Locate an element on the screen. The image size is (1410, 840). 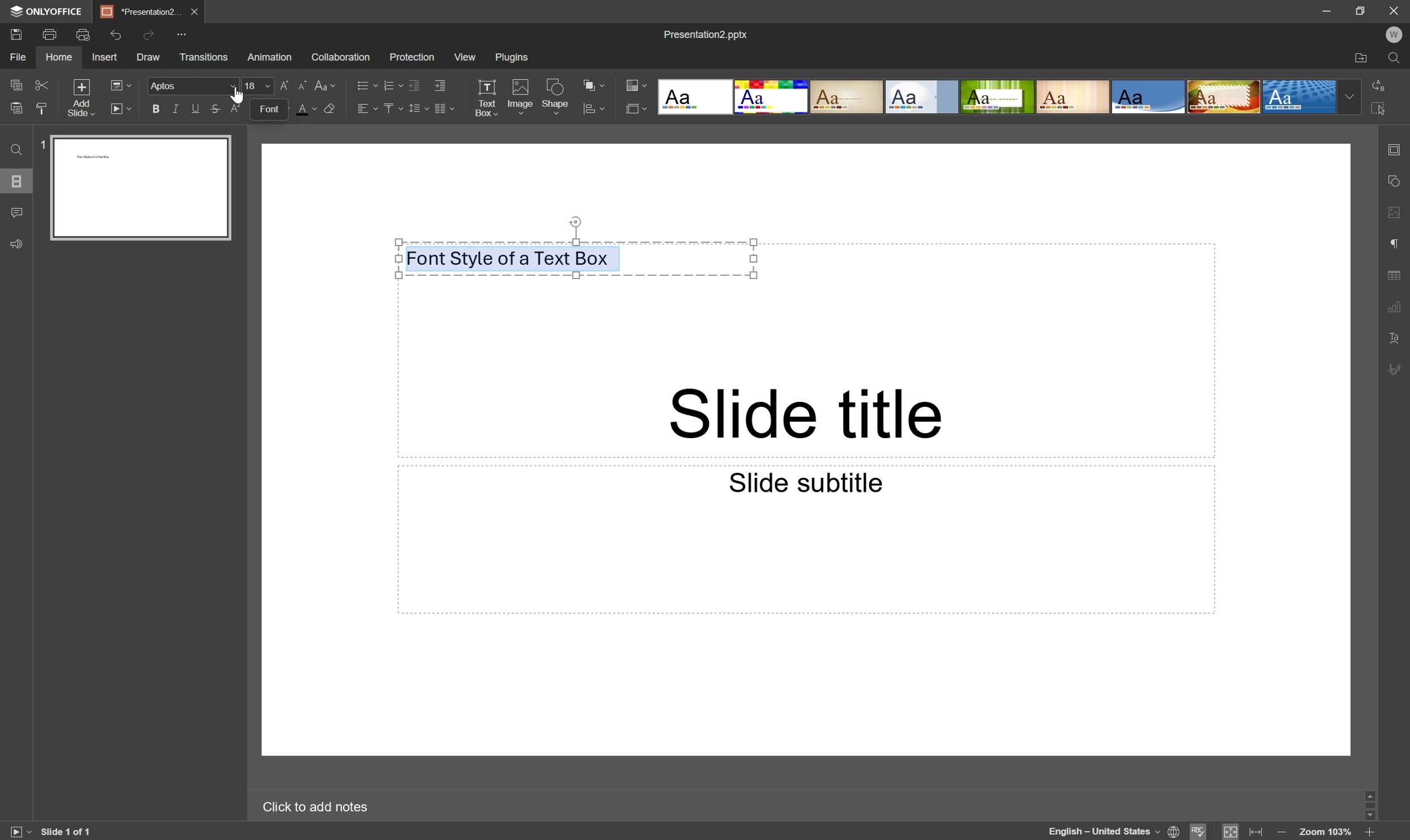
Draw is located at coordinates (150, 55).